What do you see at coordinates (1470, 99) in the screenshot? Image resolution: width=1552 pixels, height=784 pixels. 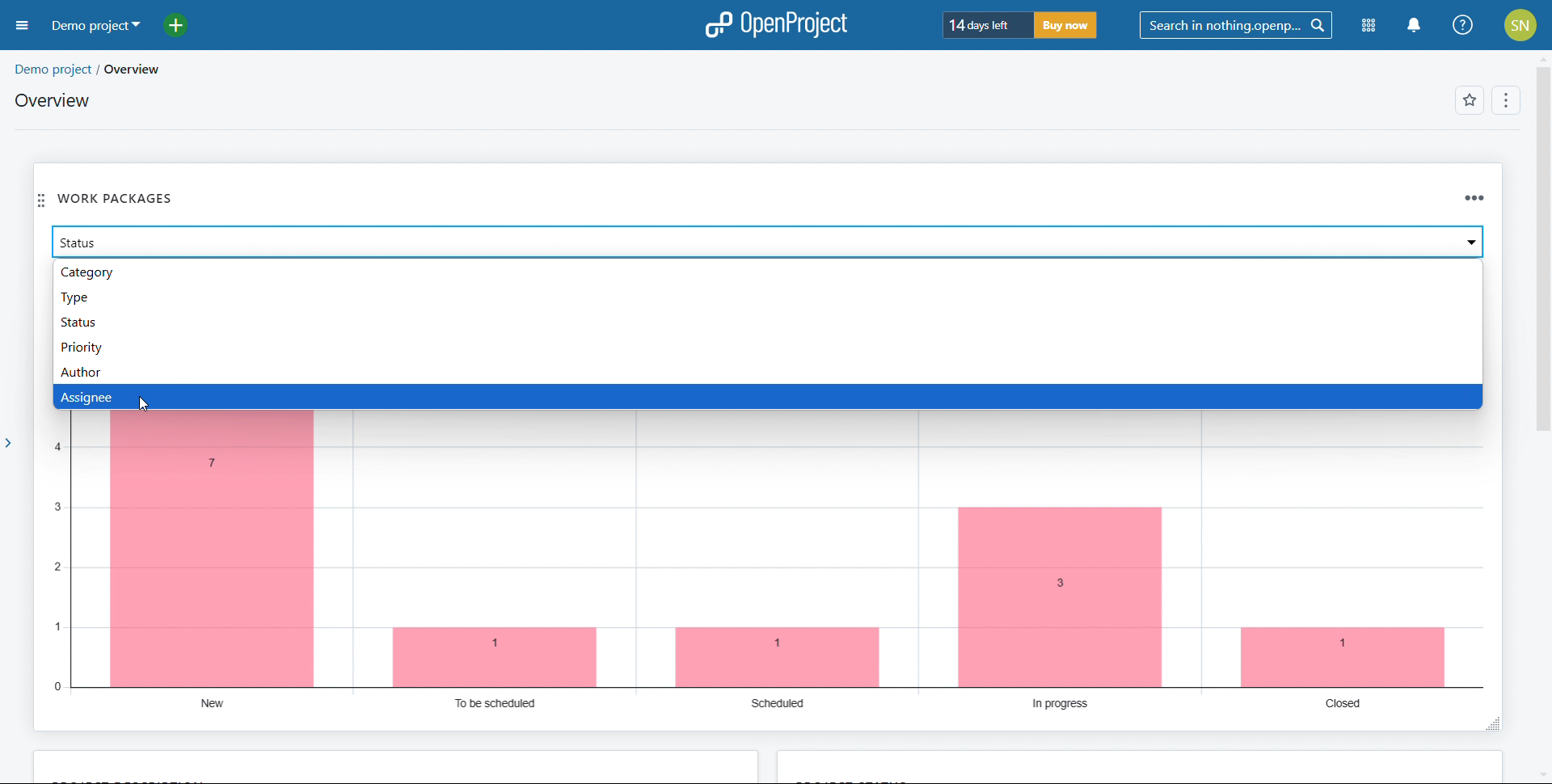 I see `add to favorites` at bounding box center [1470, 99].